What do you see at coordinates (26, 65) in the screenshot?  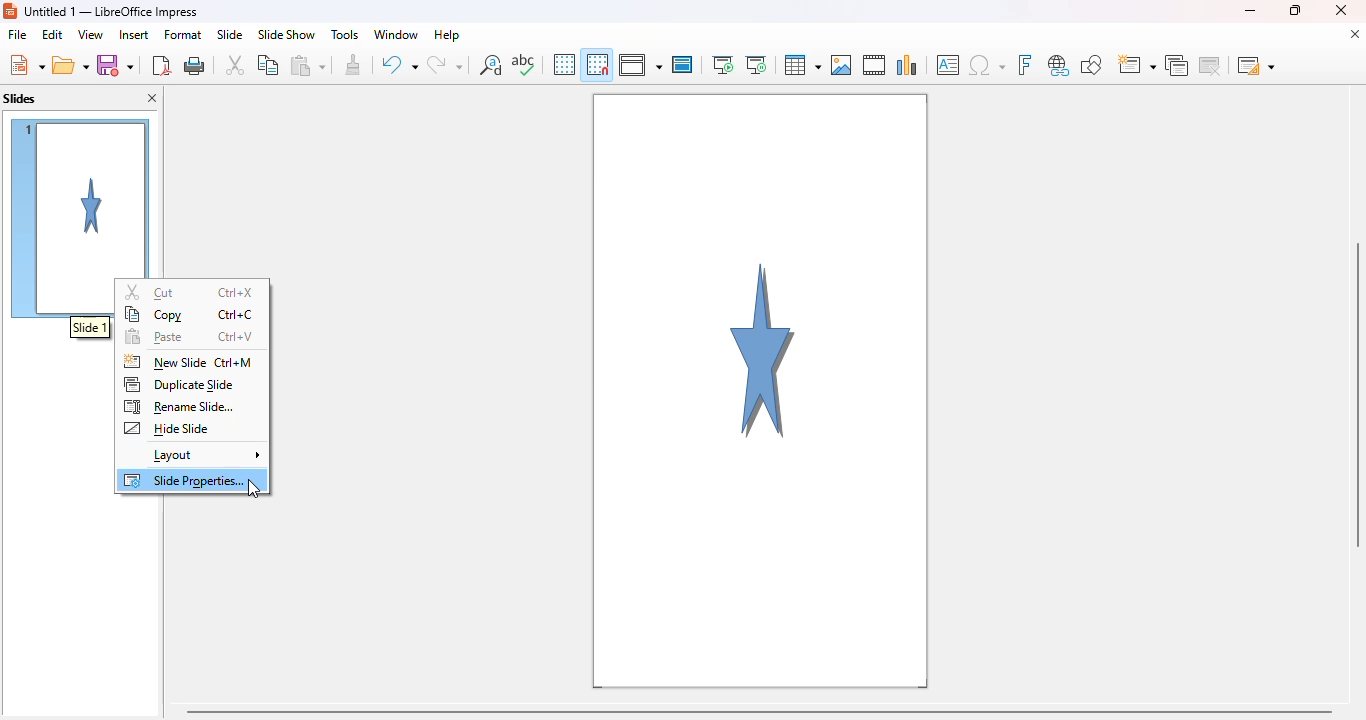 I see `new` at bounding box center [26, 65].